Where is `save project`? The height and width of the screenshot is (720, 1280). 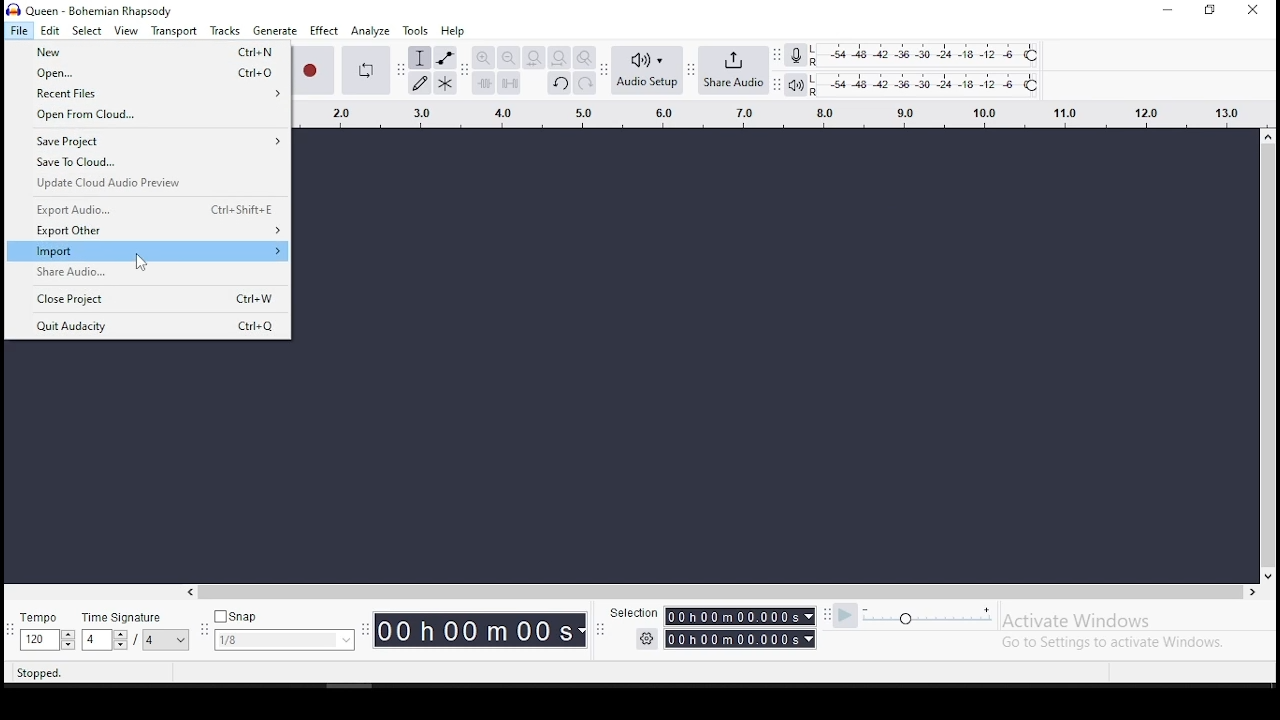
save project is located at coordinates (146, 142).